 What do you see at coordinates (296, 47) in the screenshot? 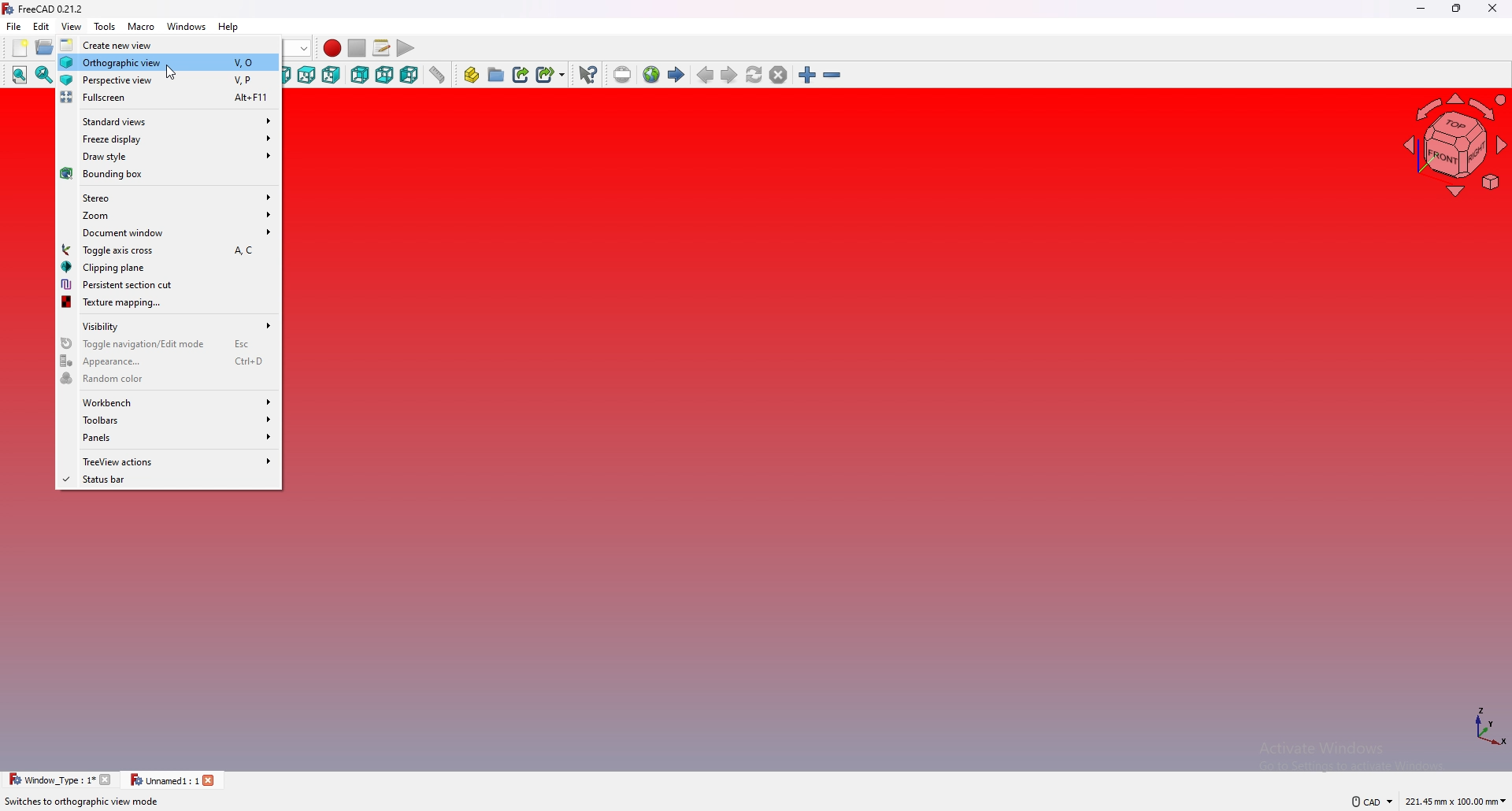
I see `start` at bounding box center [296, 47].